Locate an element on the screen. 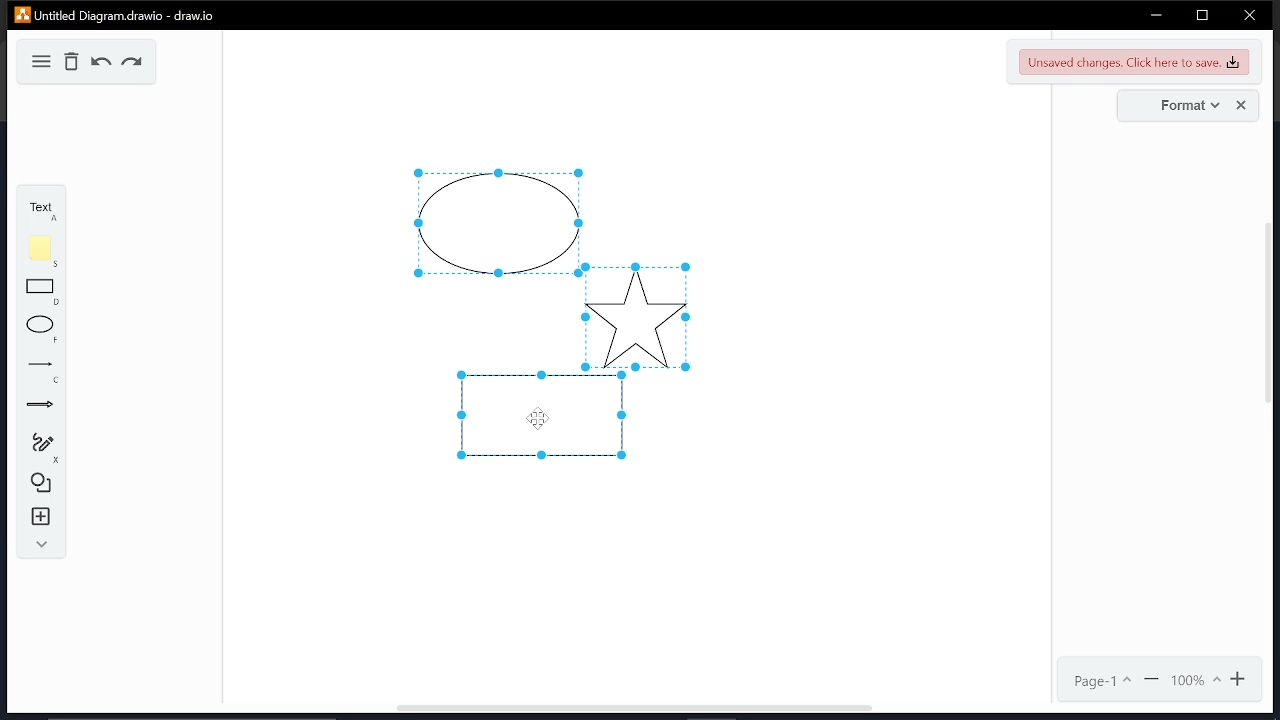 This screenshot has height=720, width=1280. rectangle is located at coordinates (41, 292).